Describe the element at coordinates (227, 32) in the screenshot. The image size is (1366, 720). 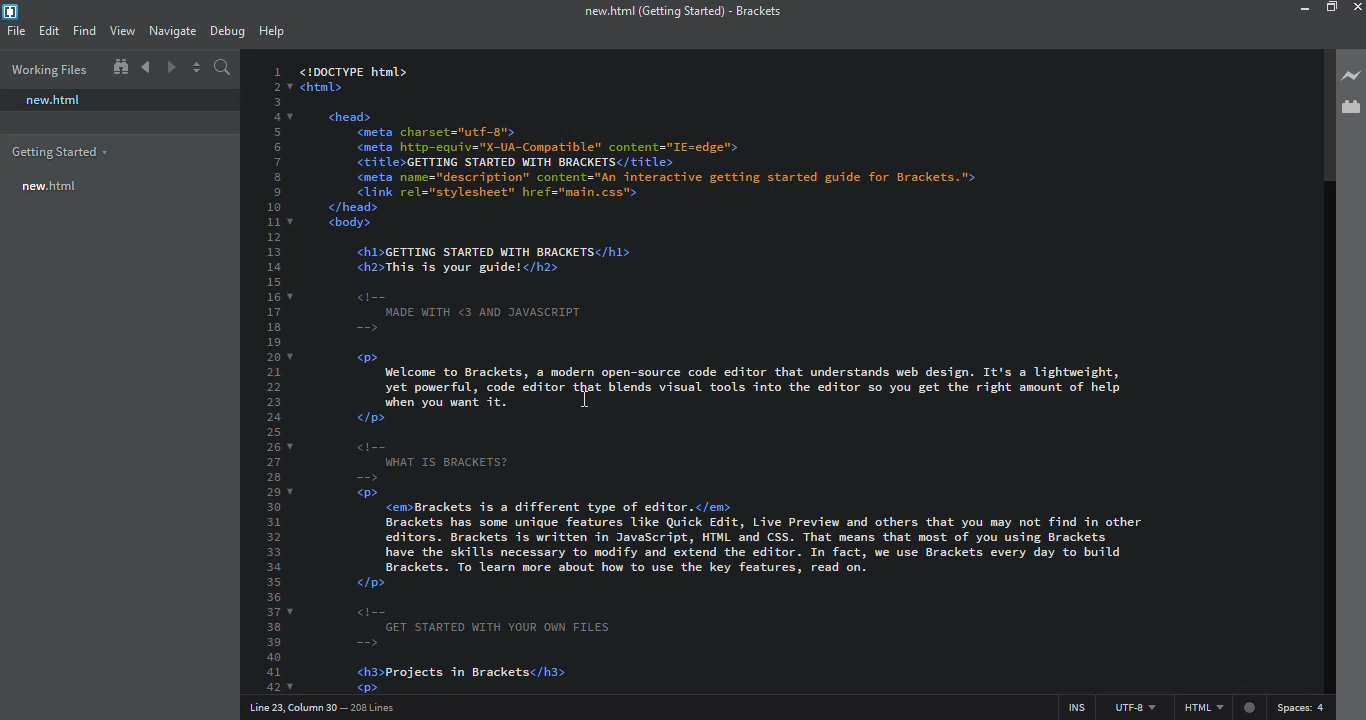
I see `debug` at that location.